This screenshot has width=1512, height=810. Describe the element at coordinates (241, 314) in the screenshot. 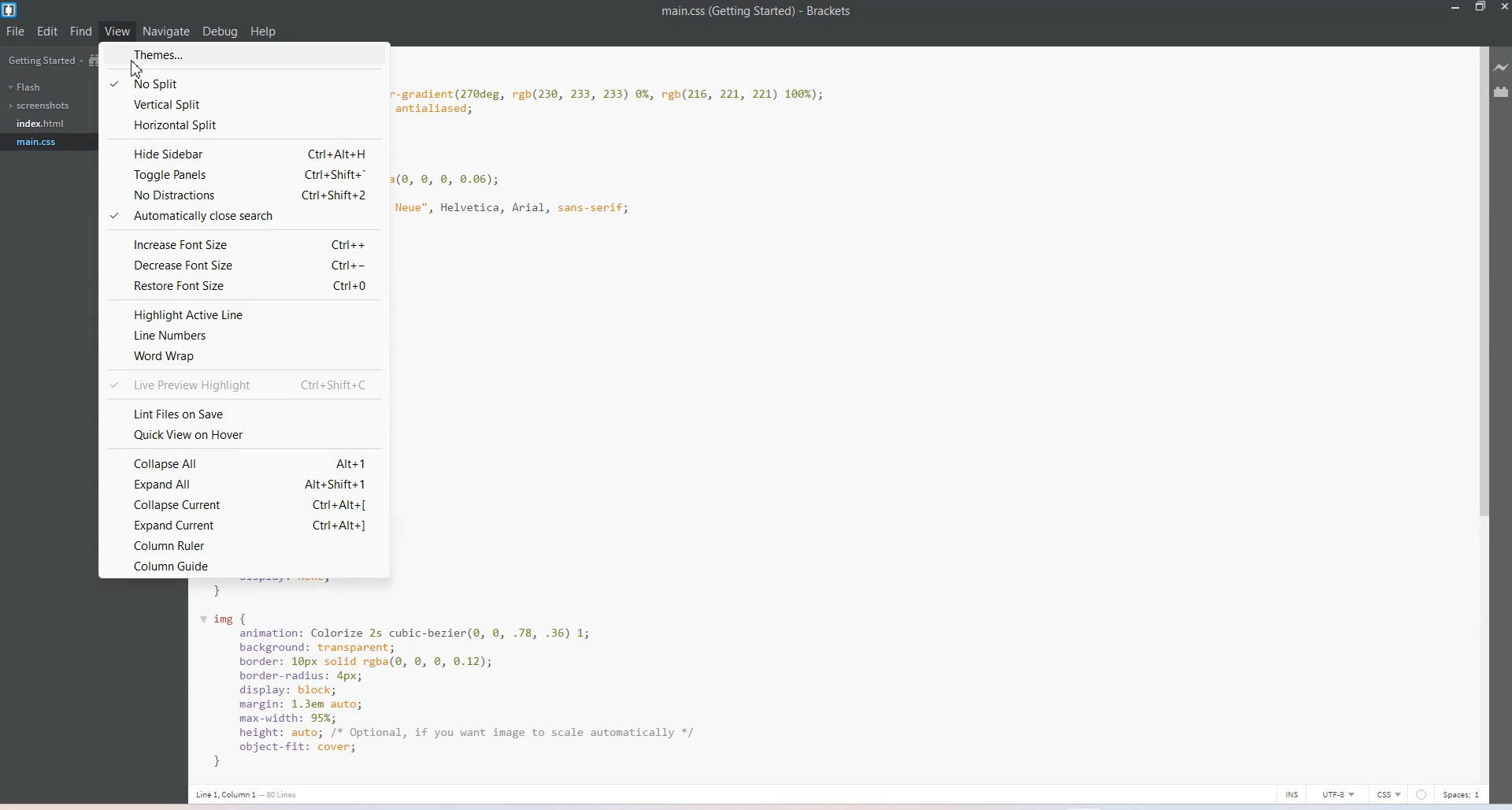

I see `Highlight active line` at that location.